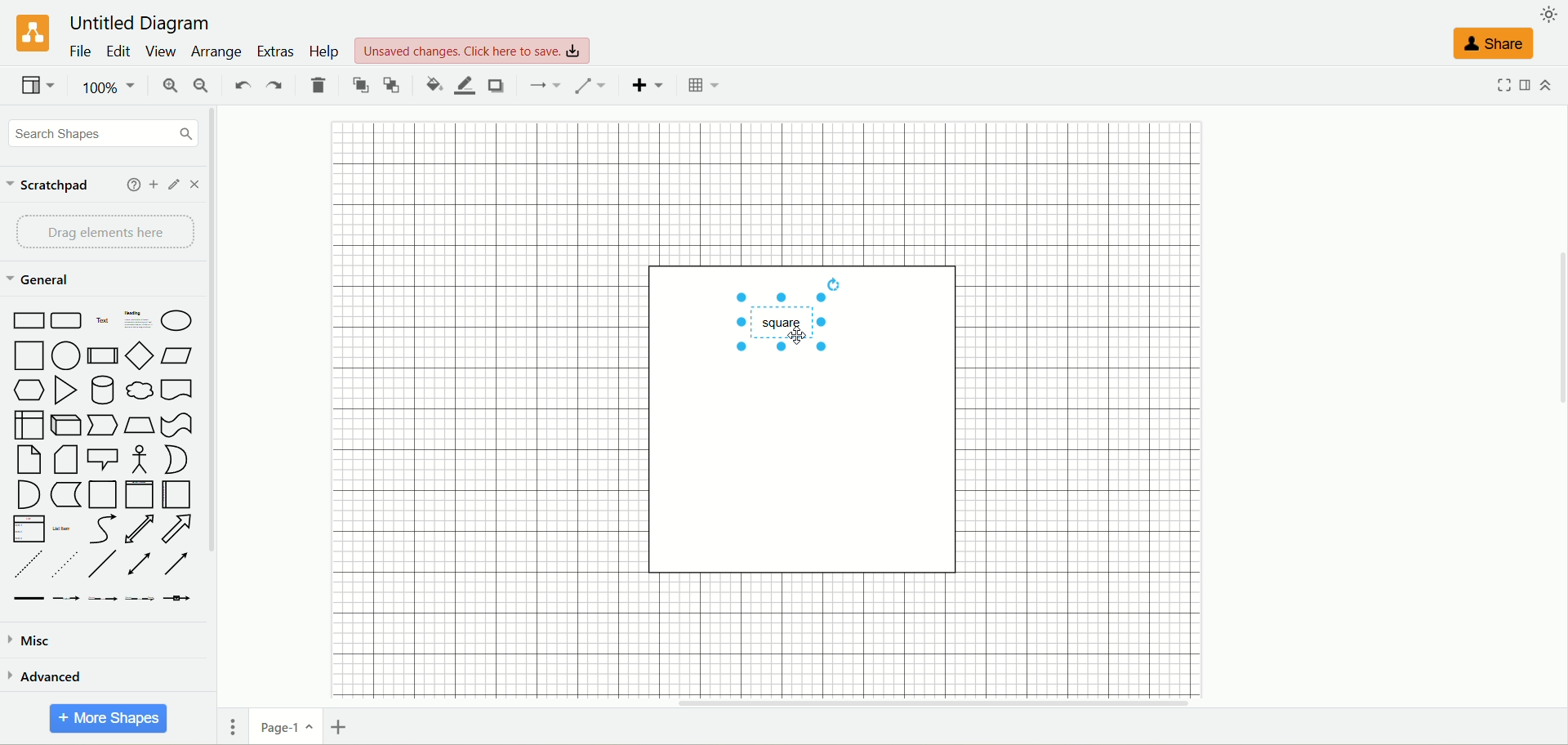 The image size is (1568, 745). I want to click on page-1, so click(283, 726).